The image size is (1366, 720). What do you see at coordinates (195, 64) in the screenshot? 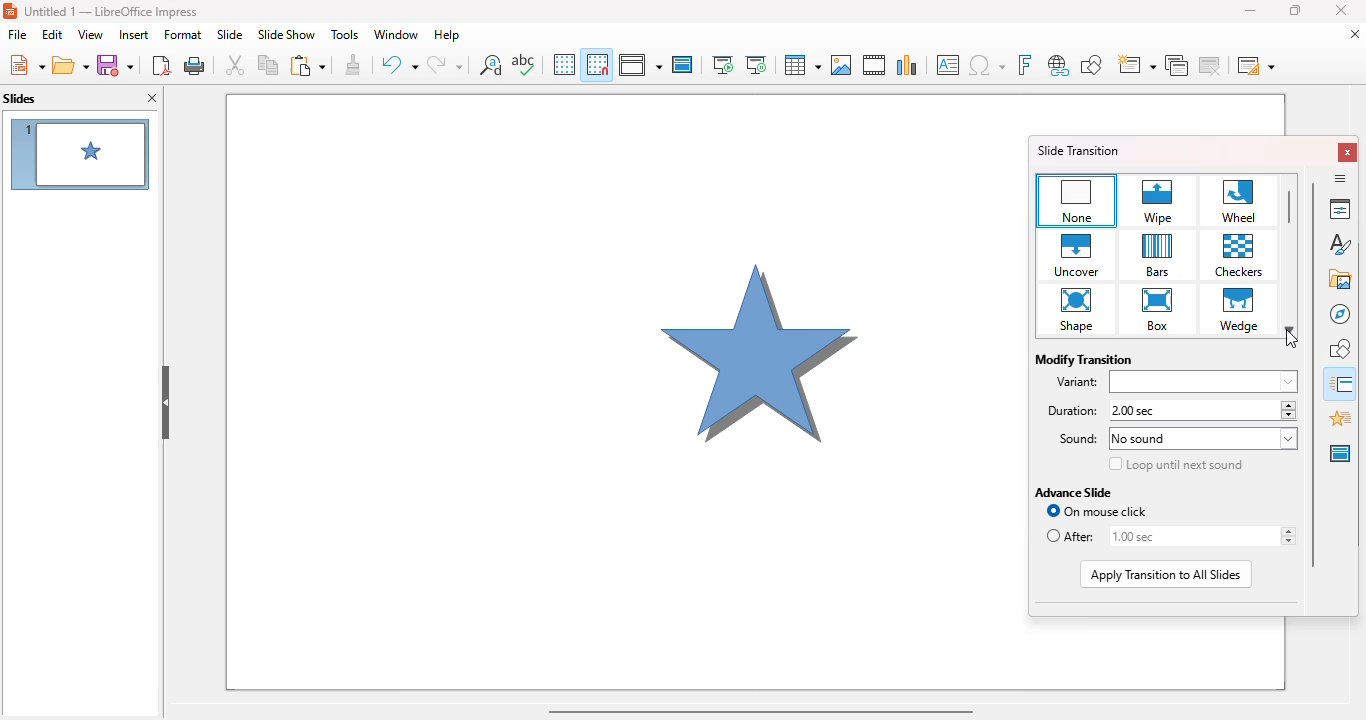
I see `print` at bounding box center [195, 64].